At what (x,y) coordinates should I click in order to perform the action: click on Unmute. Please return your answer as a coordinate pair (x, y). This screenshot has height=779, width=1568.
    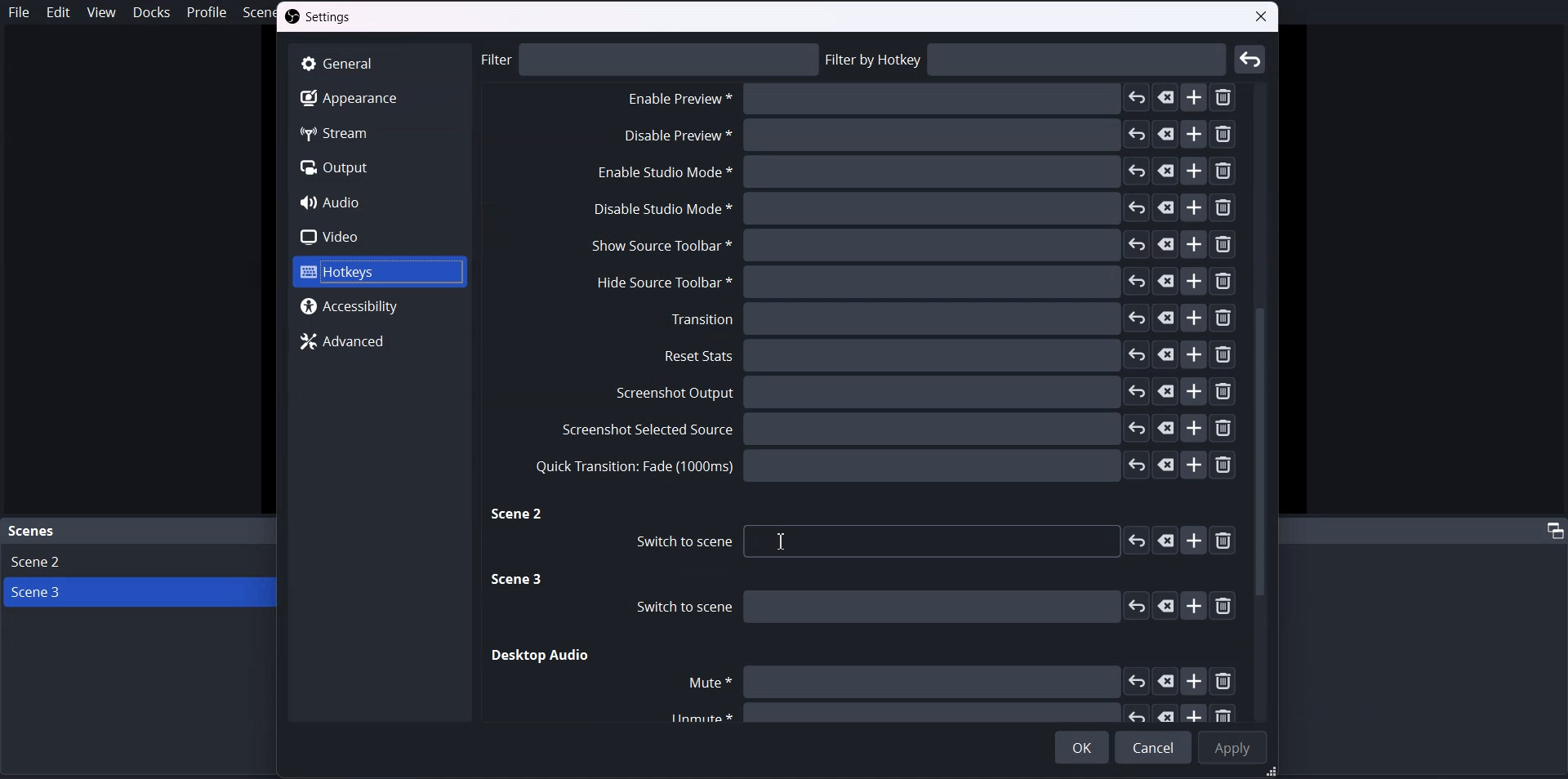
    Looking at the image, I should click on (944, 713).